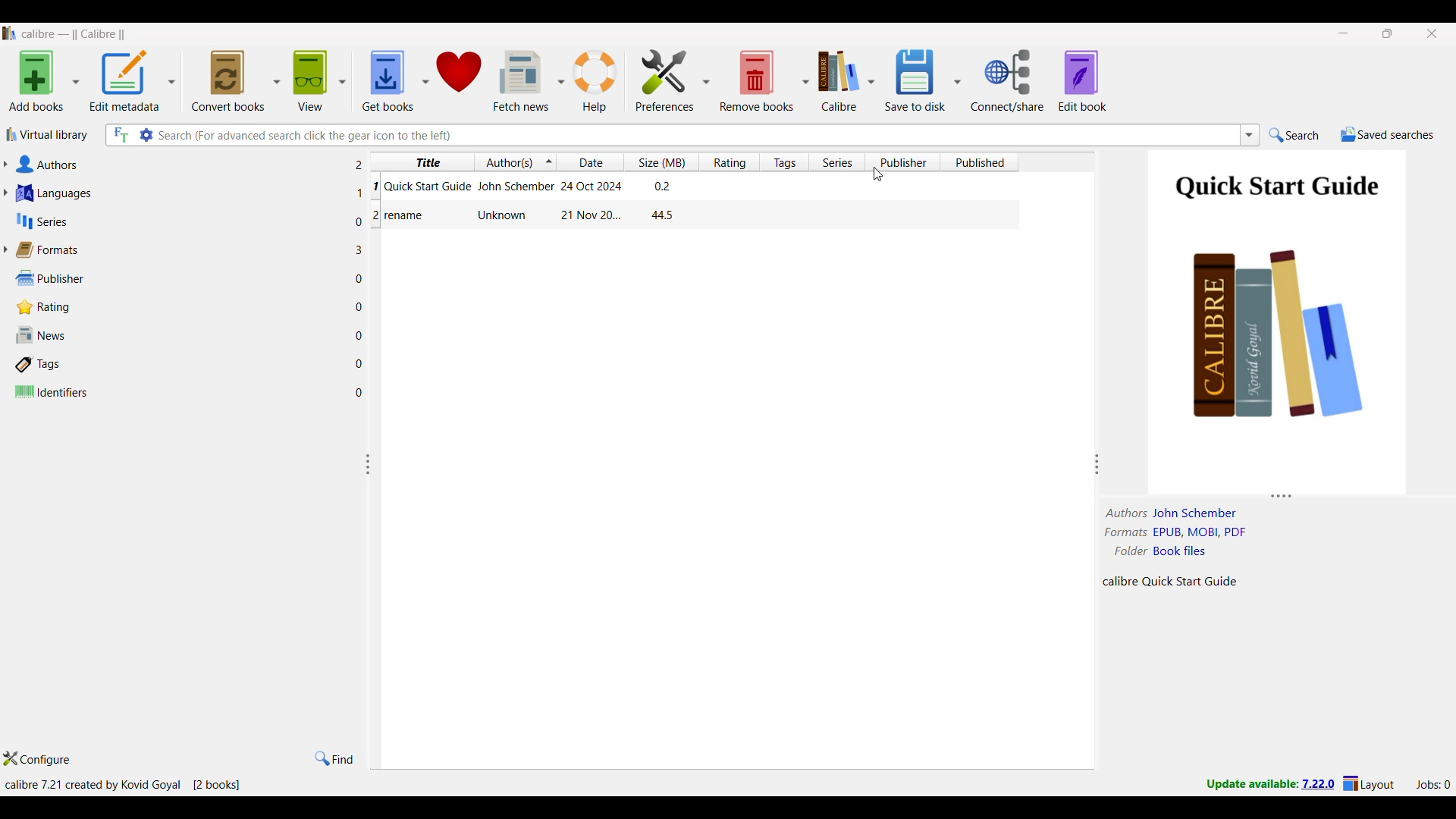 This screenshot has height=819, width=1456. I want to click on Current jobs, so click(1432, 785).